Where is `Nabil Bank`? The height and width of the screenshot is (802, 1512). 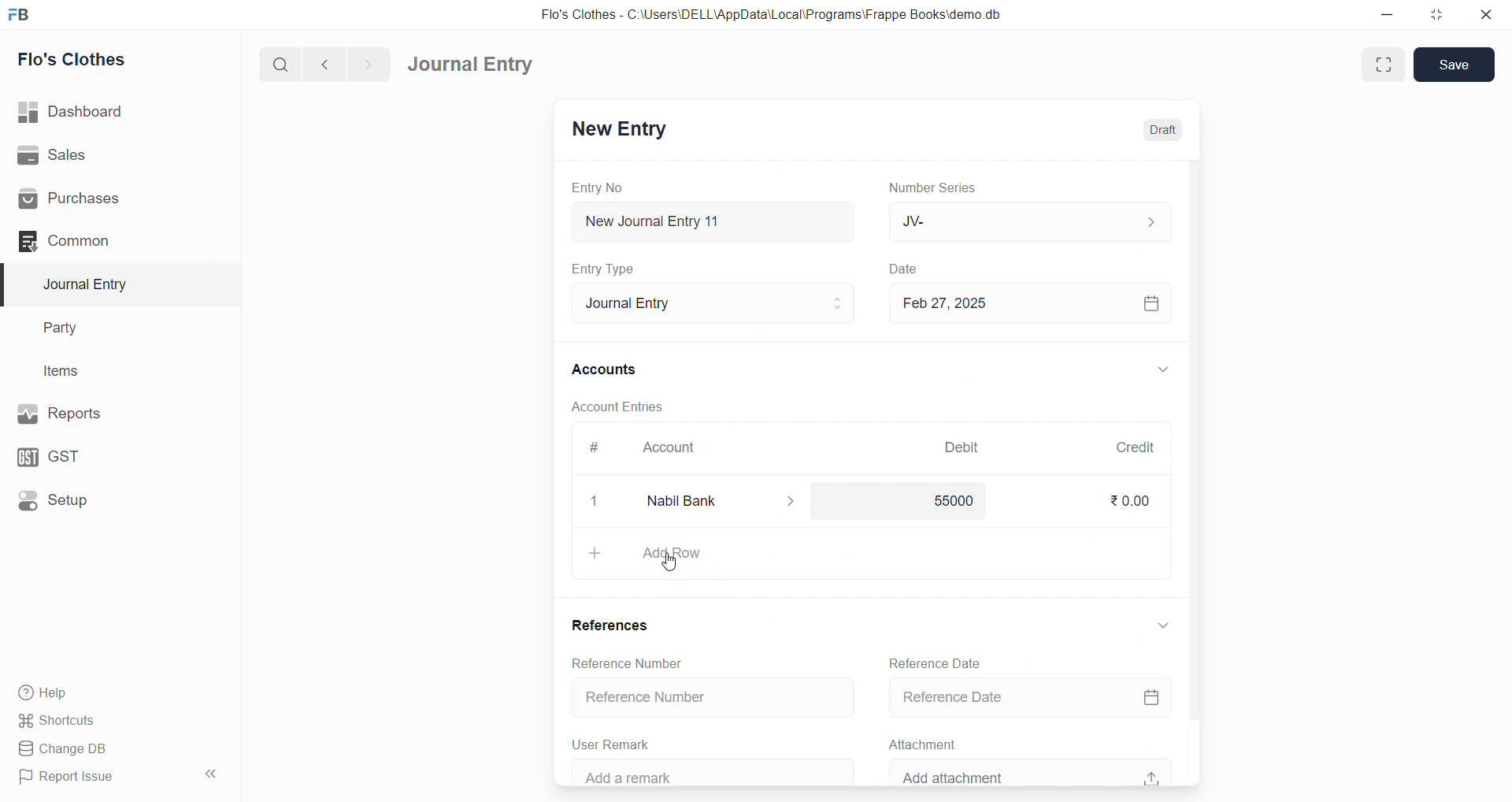 Nabil Bank is located at coordinates (721, 503).